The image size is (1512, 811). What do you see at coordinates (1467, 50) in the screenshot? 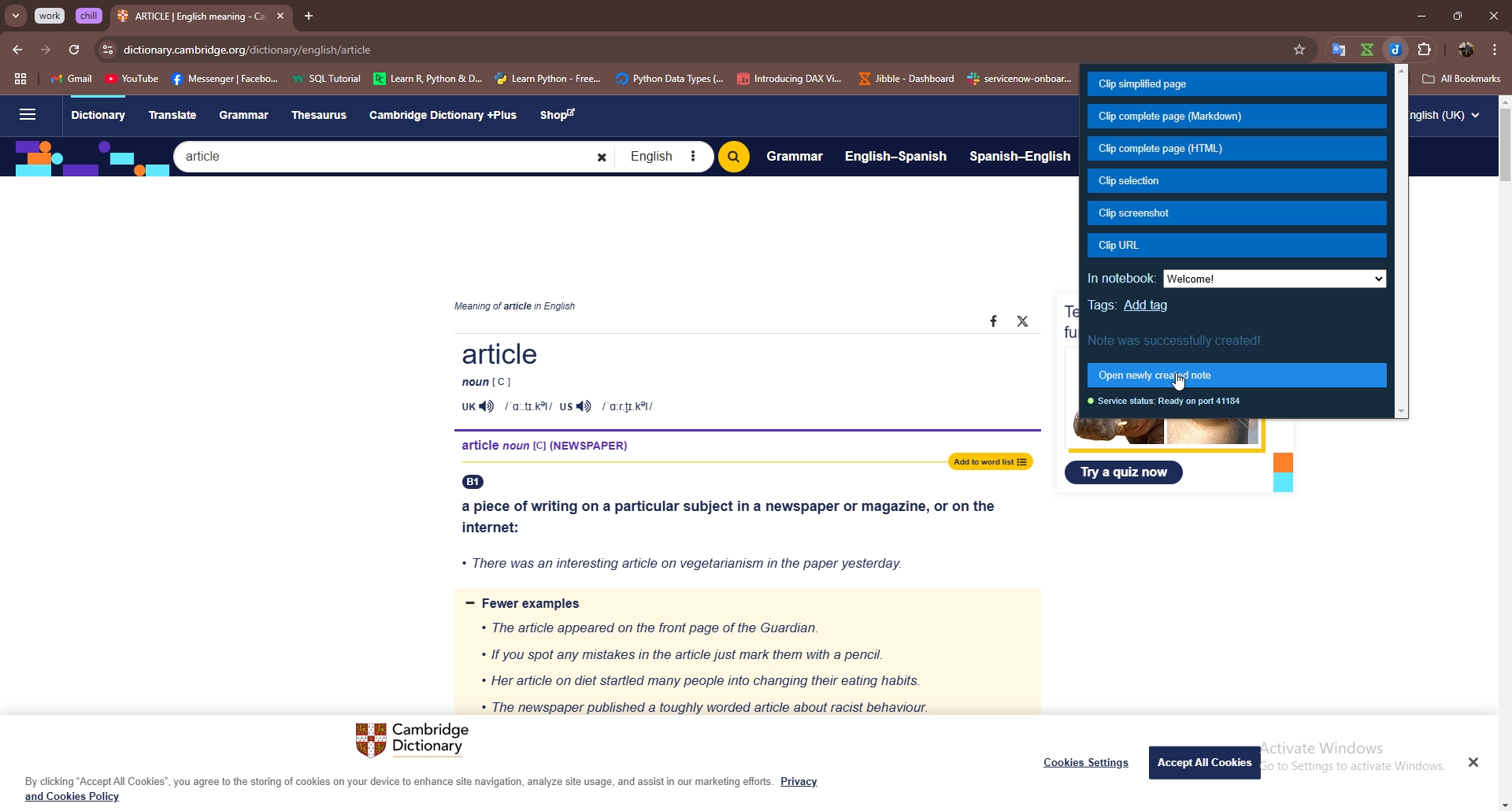
I see `profile` at bounding box center [1467, 50].